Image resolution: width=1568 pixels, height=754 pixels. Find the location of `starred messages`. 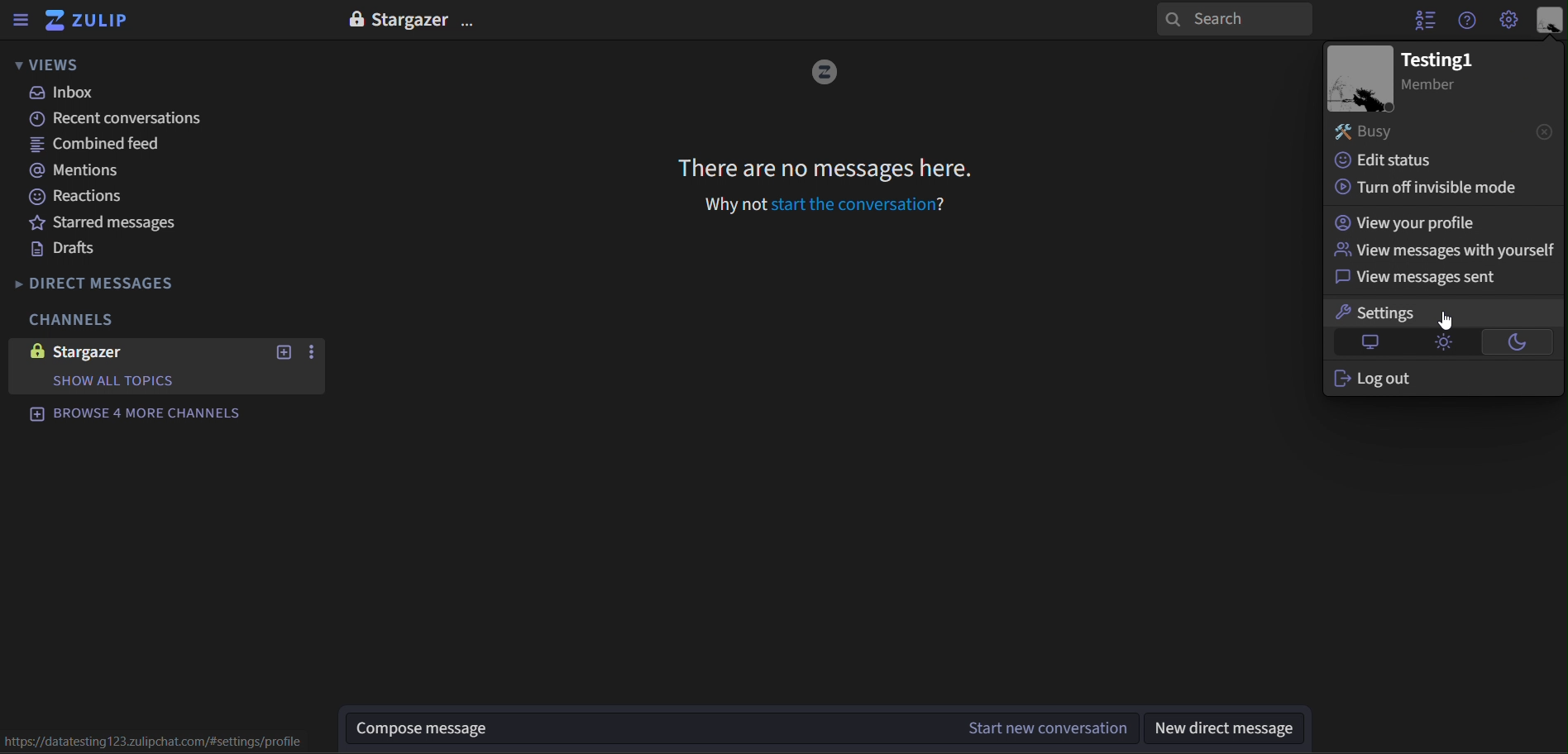

starred messages is located at coordinates (110, 222).